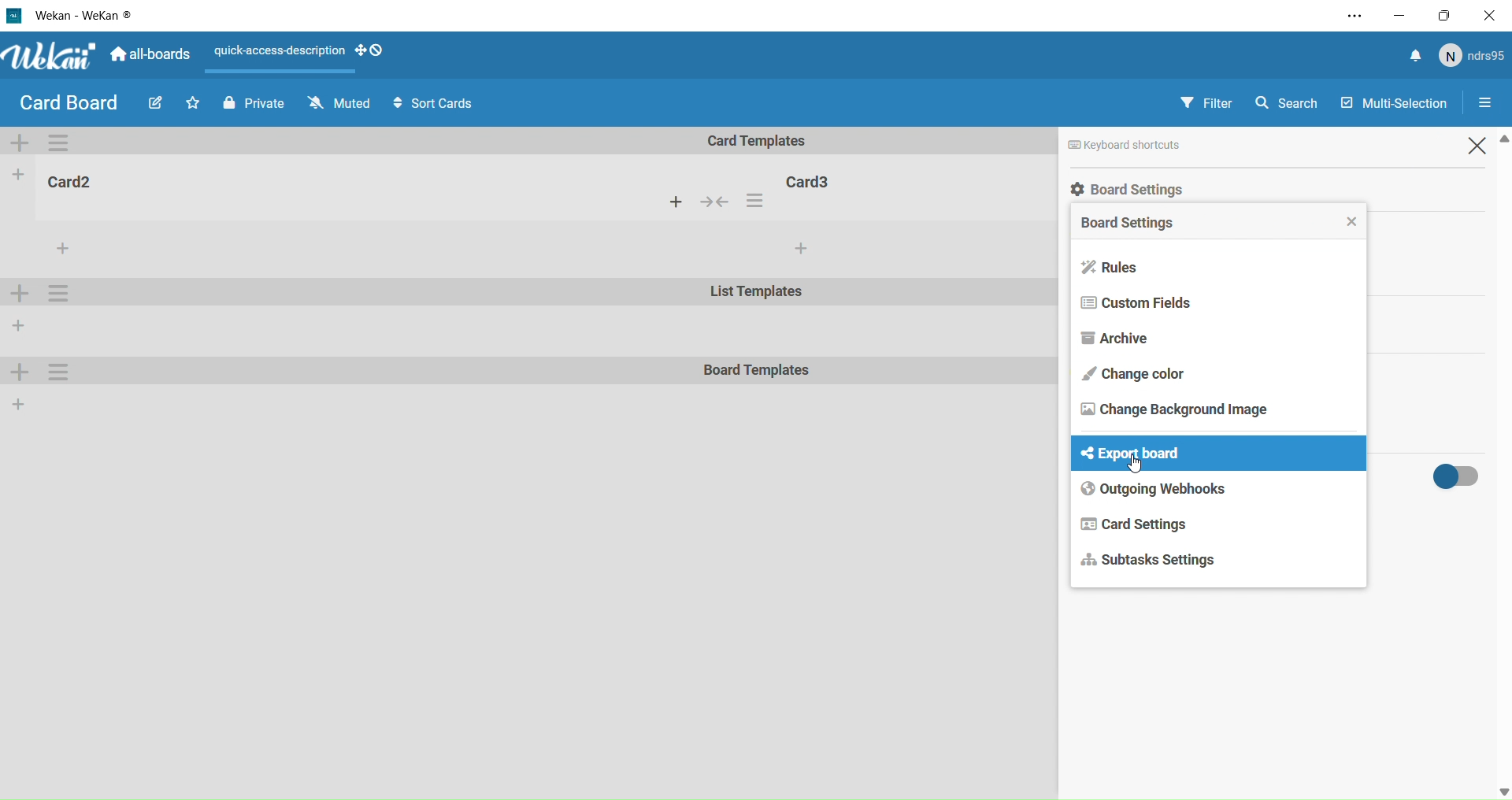  Describe the element at coordinates (372, 50) in the screenshot. I see `desktop drag handles` at that location.